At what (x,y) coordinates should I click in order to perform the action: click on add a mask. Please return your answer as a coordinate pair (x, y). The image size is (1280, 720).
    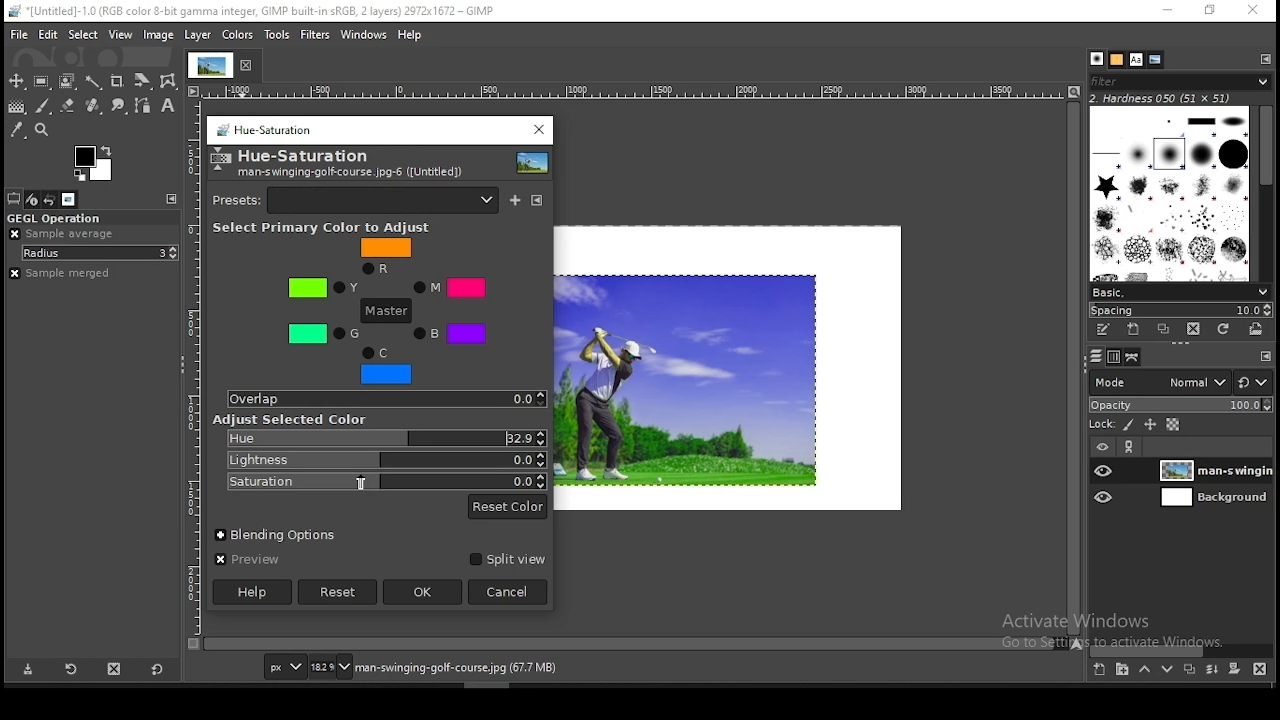
    Looking at the image, I should click on (1236, 669).